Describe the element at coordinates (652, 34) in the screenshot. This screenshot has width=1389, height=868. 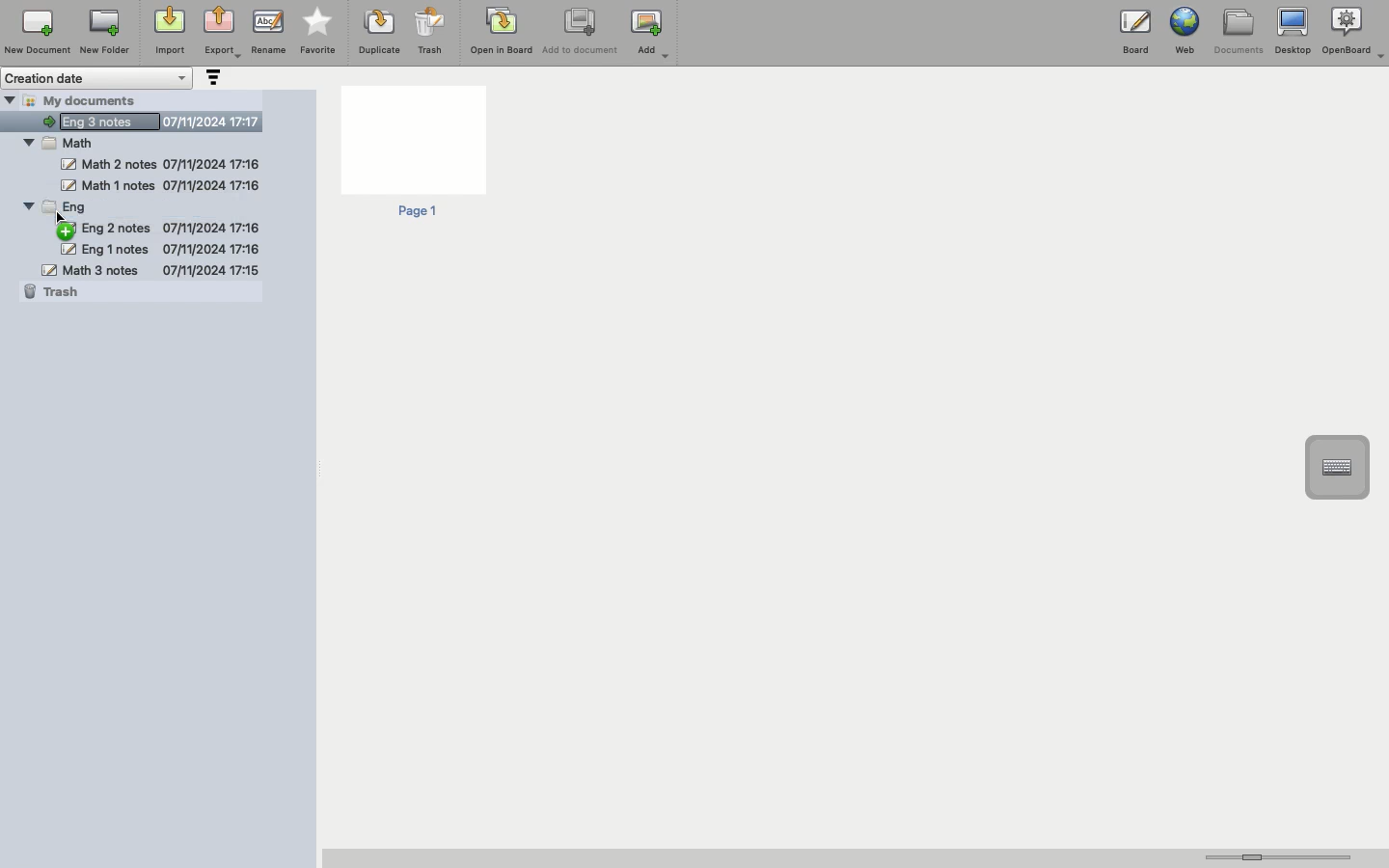
I see `Ad` at that location.